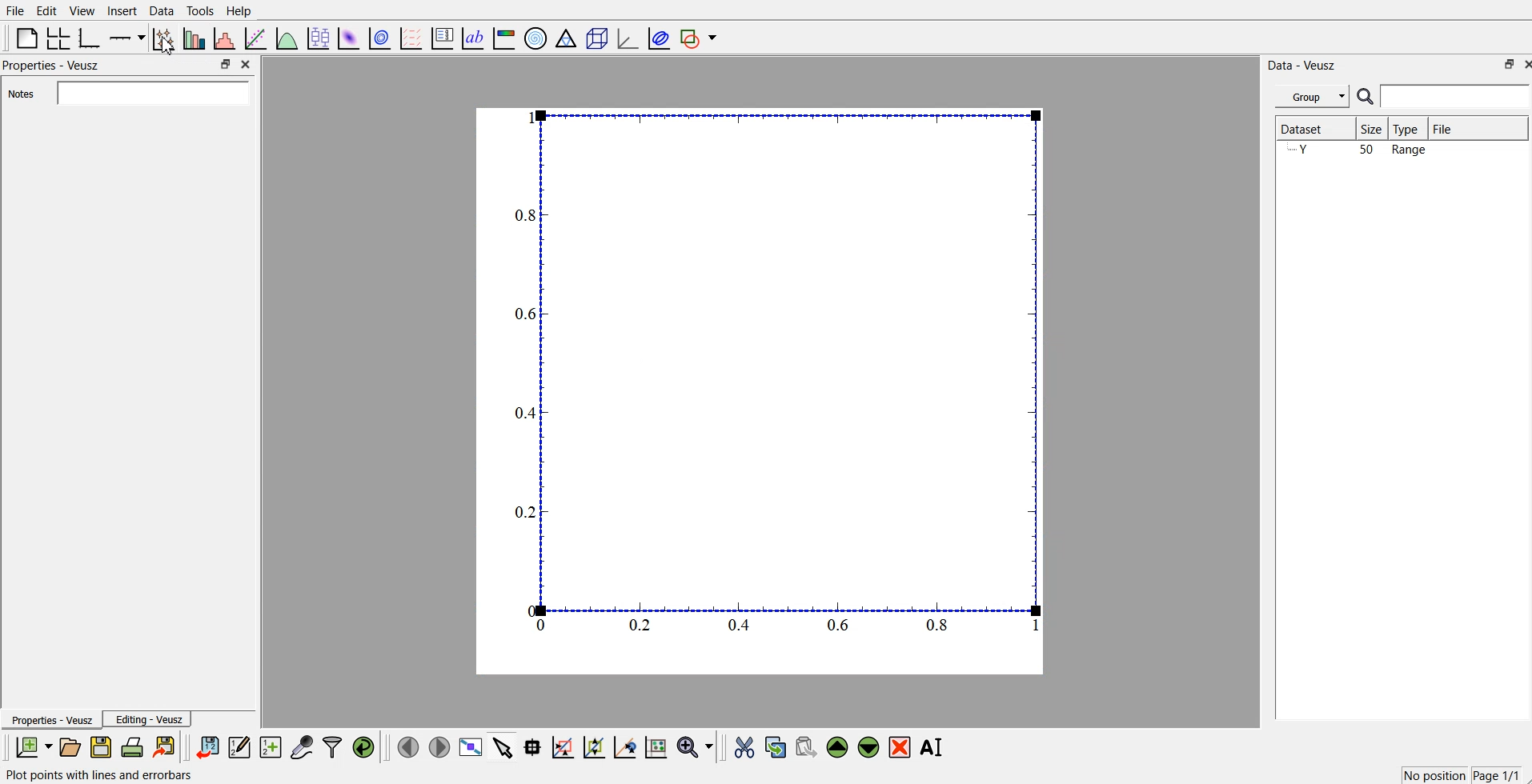 Image resolution: width=1532 pixels, height=784 pixels. What do you see at coordinates (240, 748) in the screenshot?
I see `edit and enter datapoints` at bounding box center [240, 748].